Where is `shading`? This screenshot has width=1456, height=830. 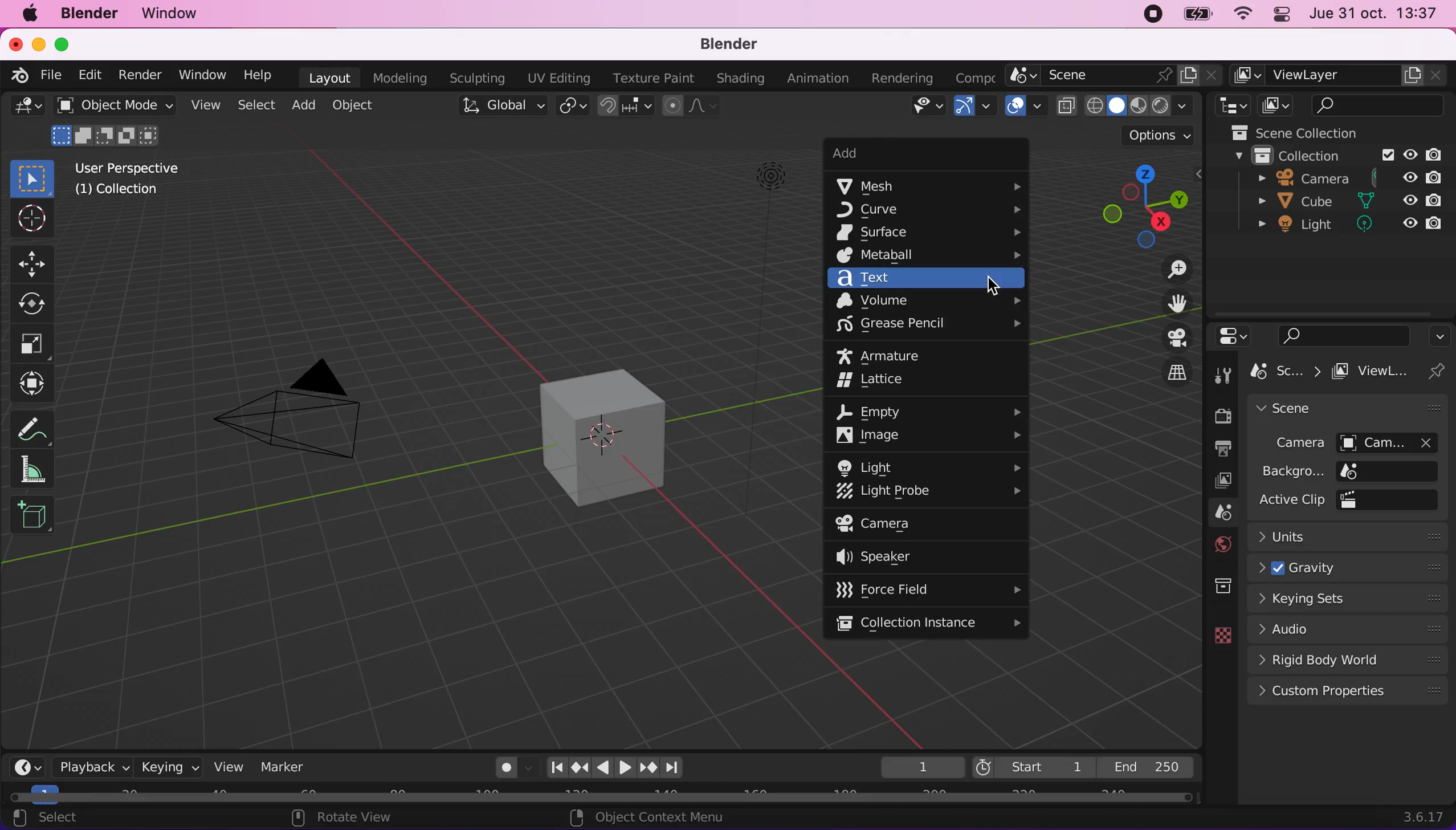 shading is located at coordinates (737, 77).